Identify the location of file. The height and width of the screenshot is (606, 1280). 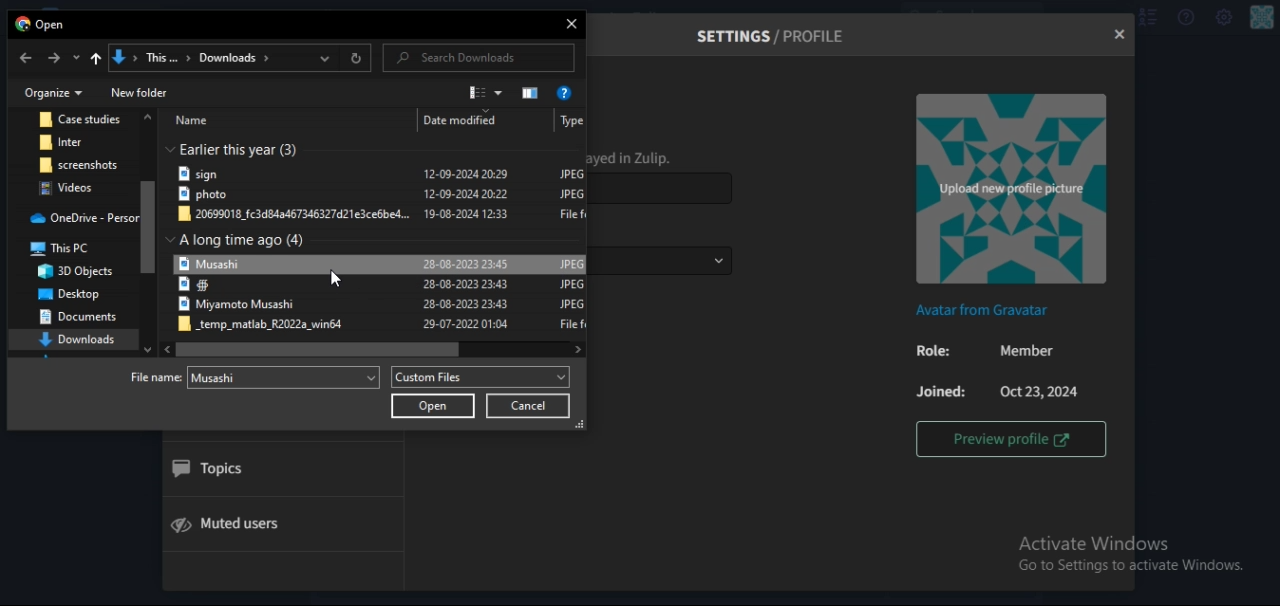
(225, 377).